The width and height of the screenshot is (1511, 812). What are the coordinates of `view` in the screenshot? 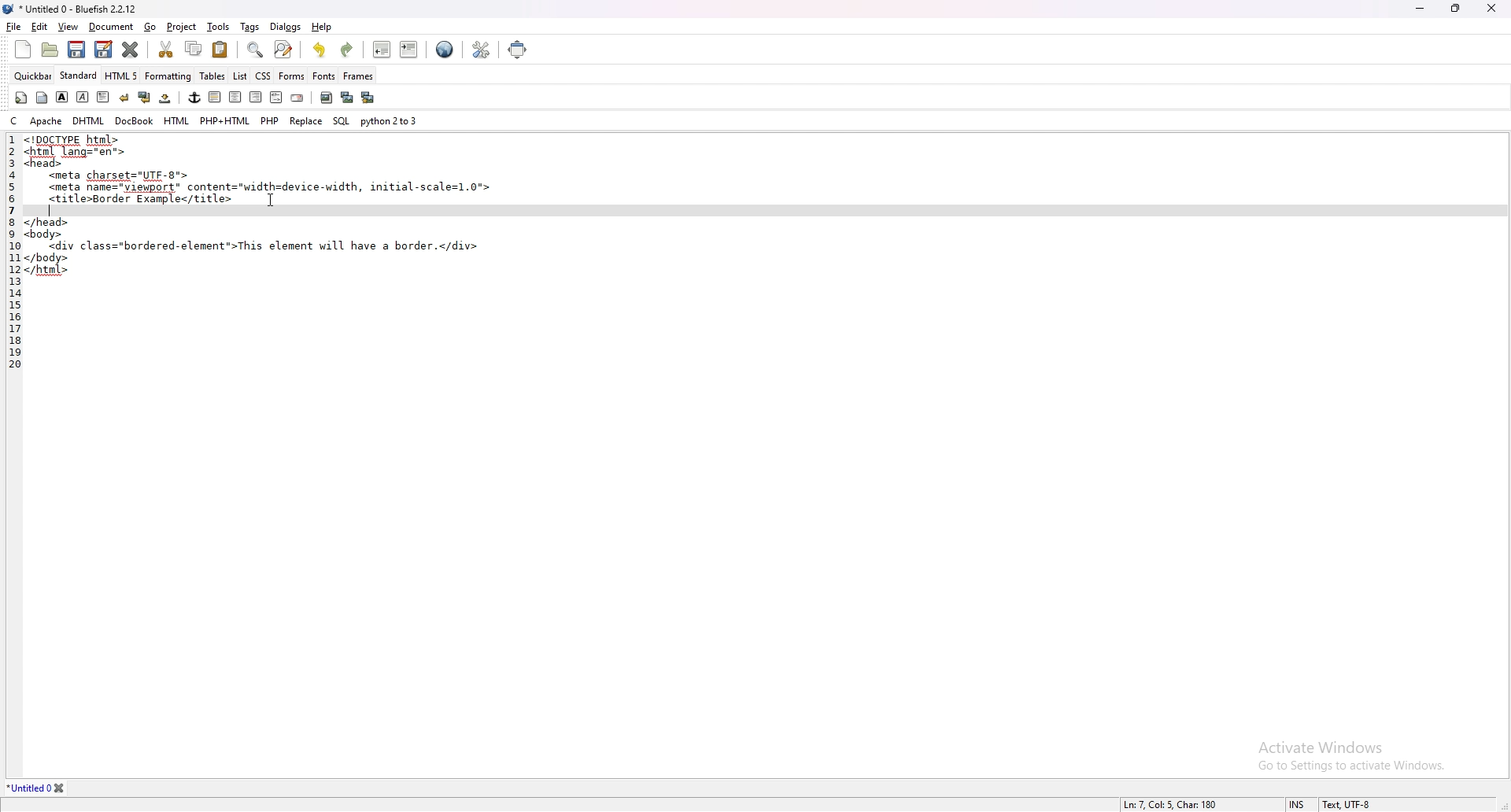 It's located at (68, 27).